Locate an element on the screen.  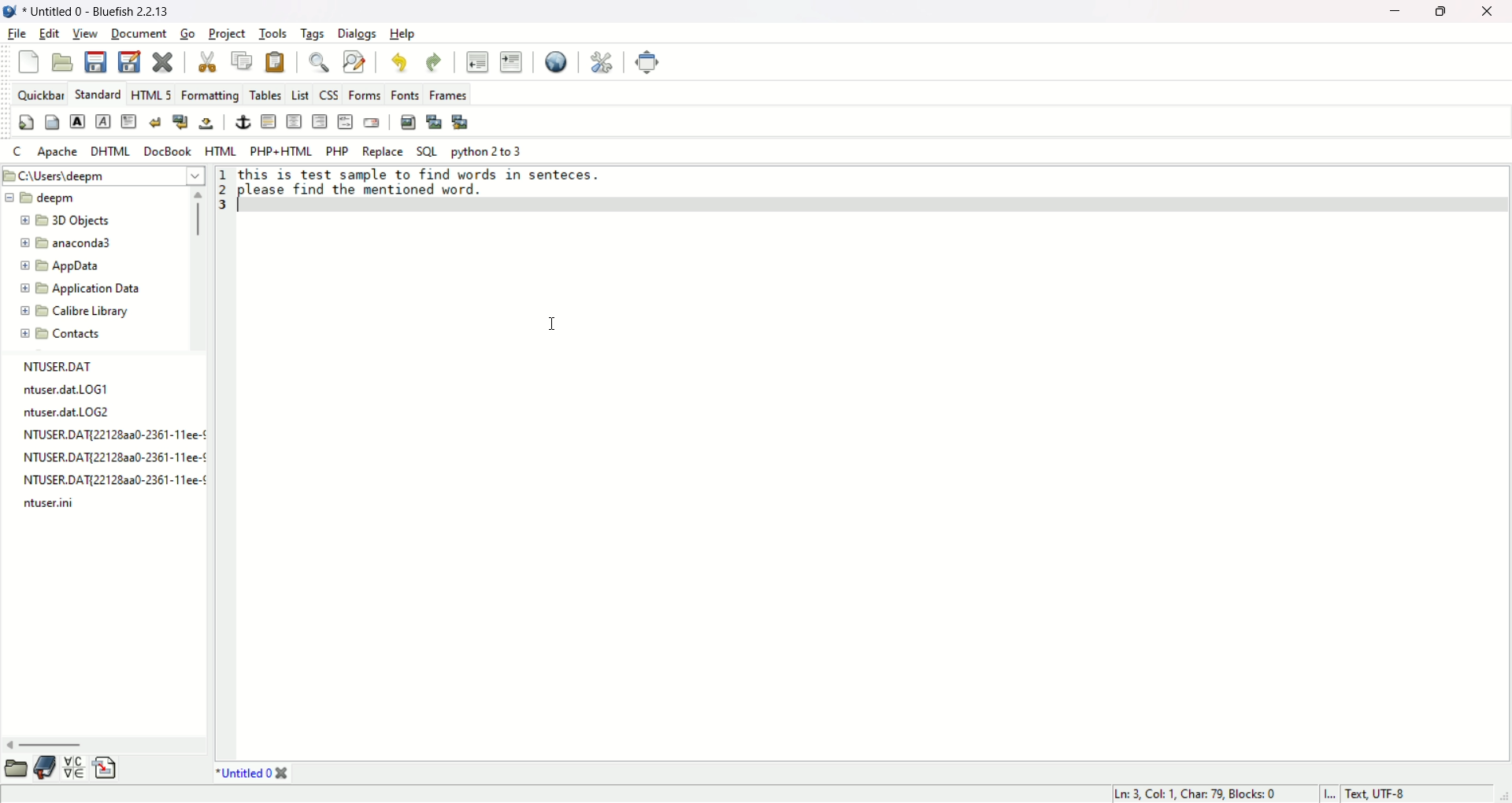
email is located at coordinates (370, 122).